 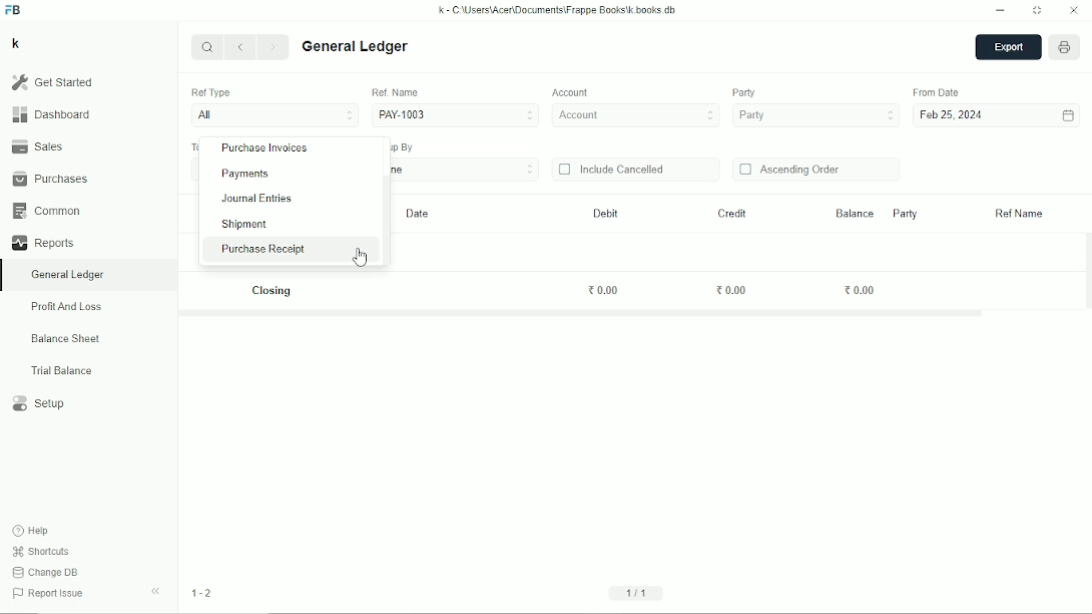 What do you see at coordinates (242, 48) in the screenshot?
I see `Previous` at bounding box center [242, 48].